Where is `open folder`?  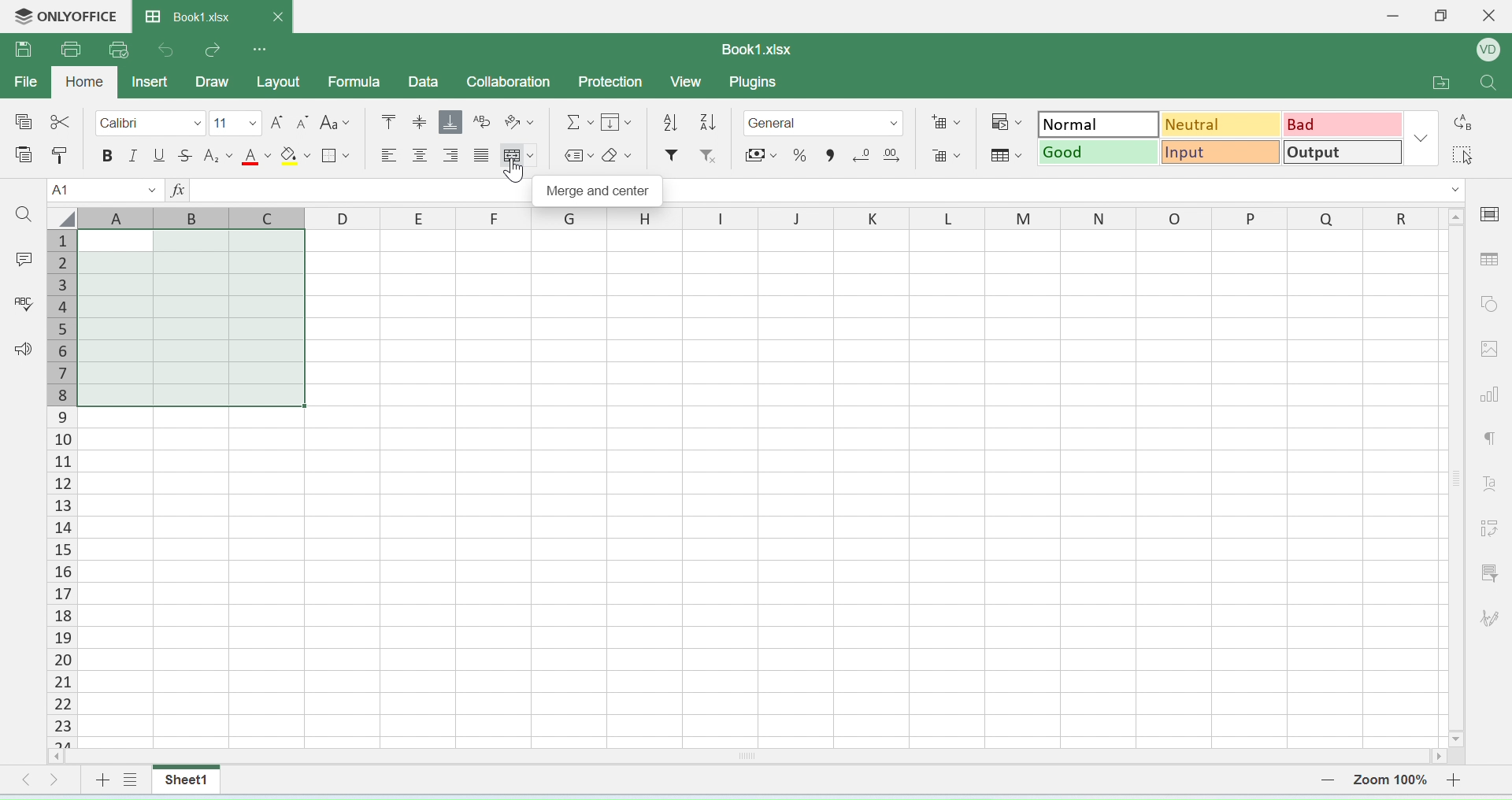
open folder is located at coordinates (1441, 85).